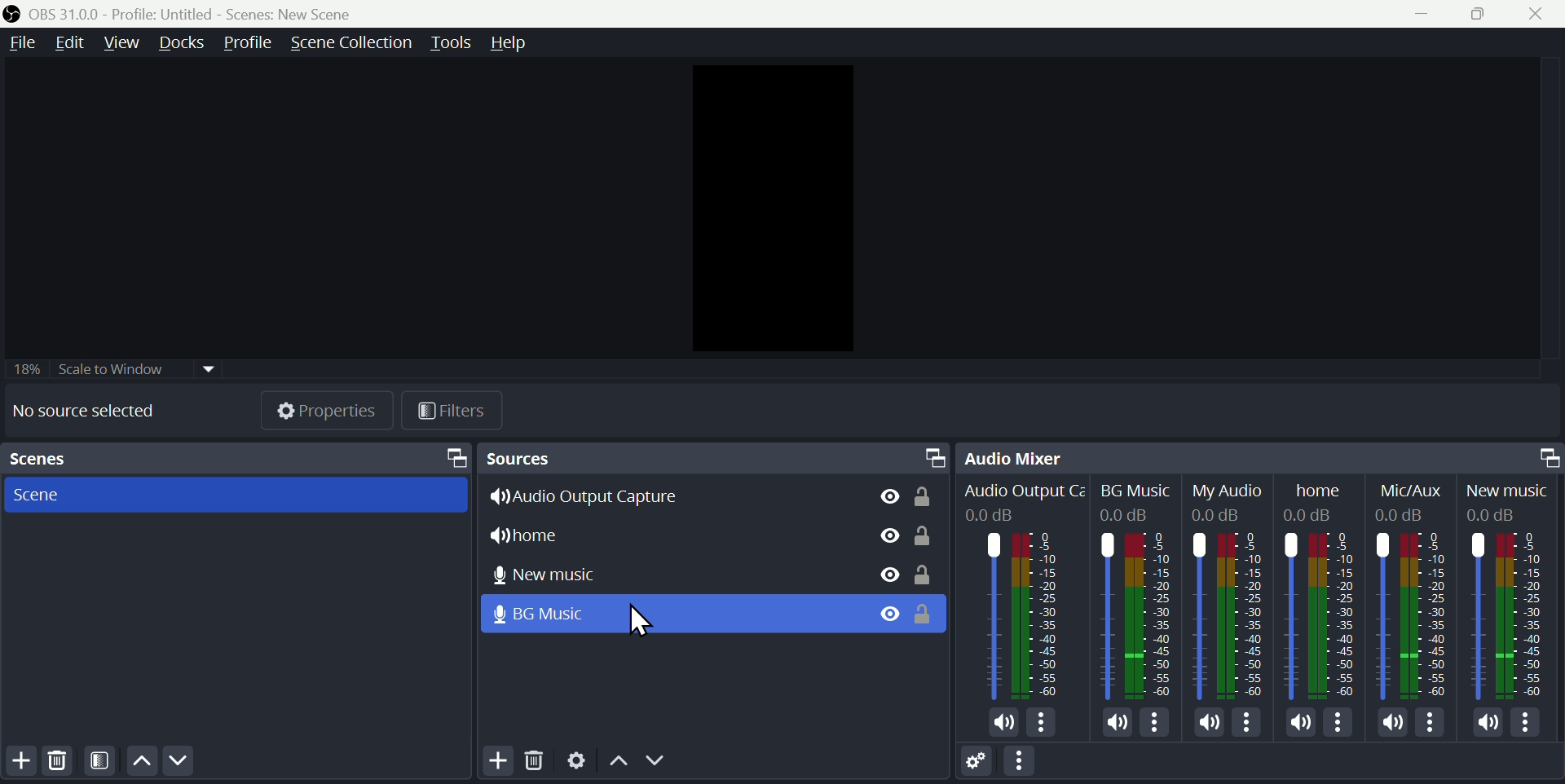 Image resolution: width=1565 pixels, height=784 pixels. Describe the element at coordinates (646, 623) in the screenshot. I see `Cursor` at that location.